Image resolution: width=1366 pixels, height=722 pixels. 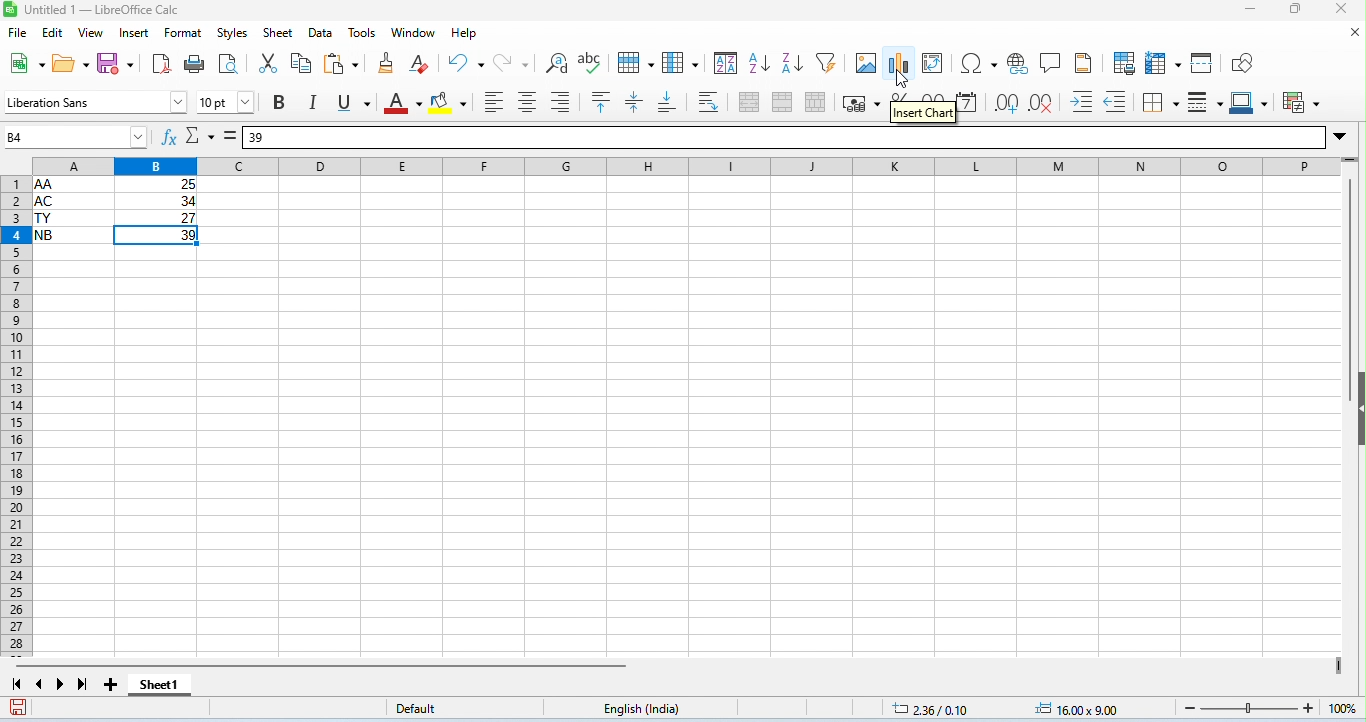 What do you see at coordinates (668, 103) in the screenshot?
I see `align to bottom` at bounding box center [668, 103].